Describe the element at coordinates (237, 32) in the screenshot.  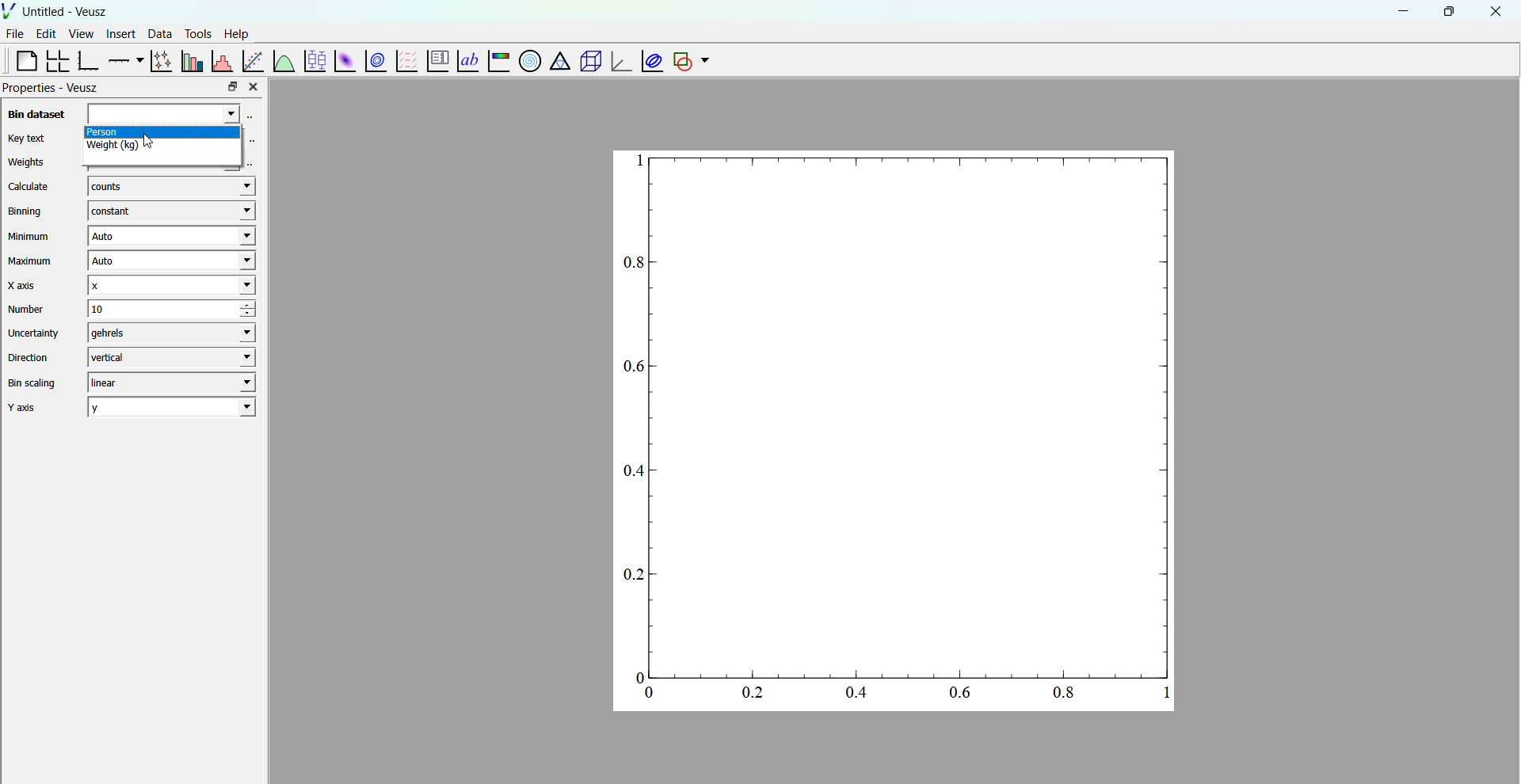
I see `help` at that location.